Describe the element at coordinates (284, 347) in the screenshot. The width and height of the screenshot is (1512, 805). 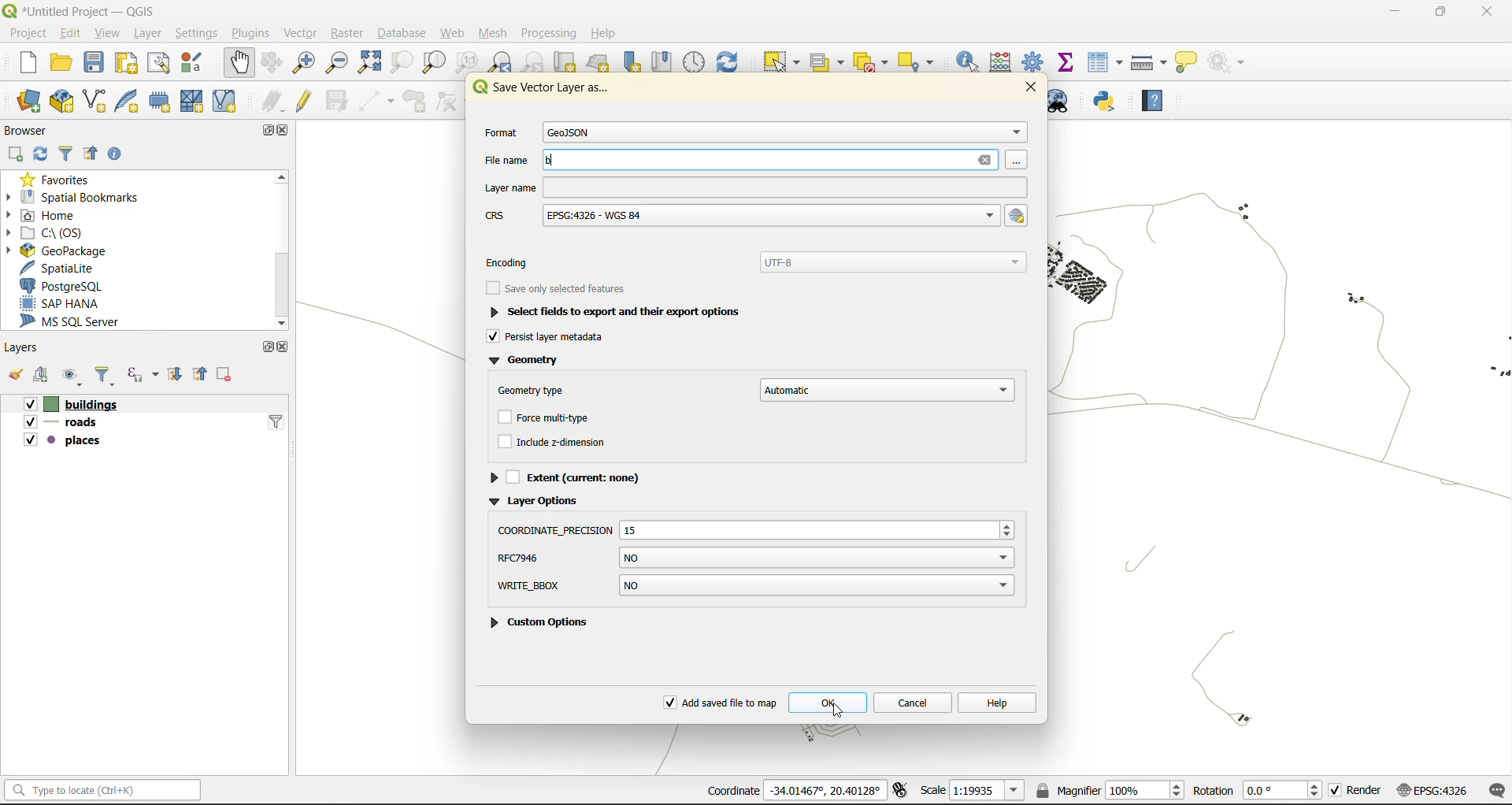
I see `close` at that location.